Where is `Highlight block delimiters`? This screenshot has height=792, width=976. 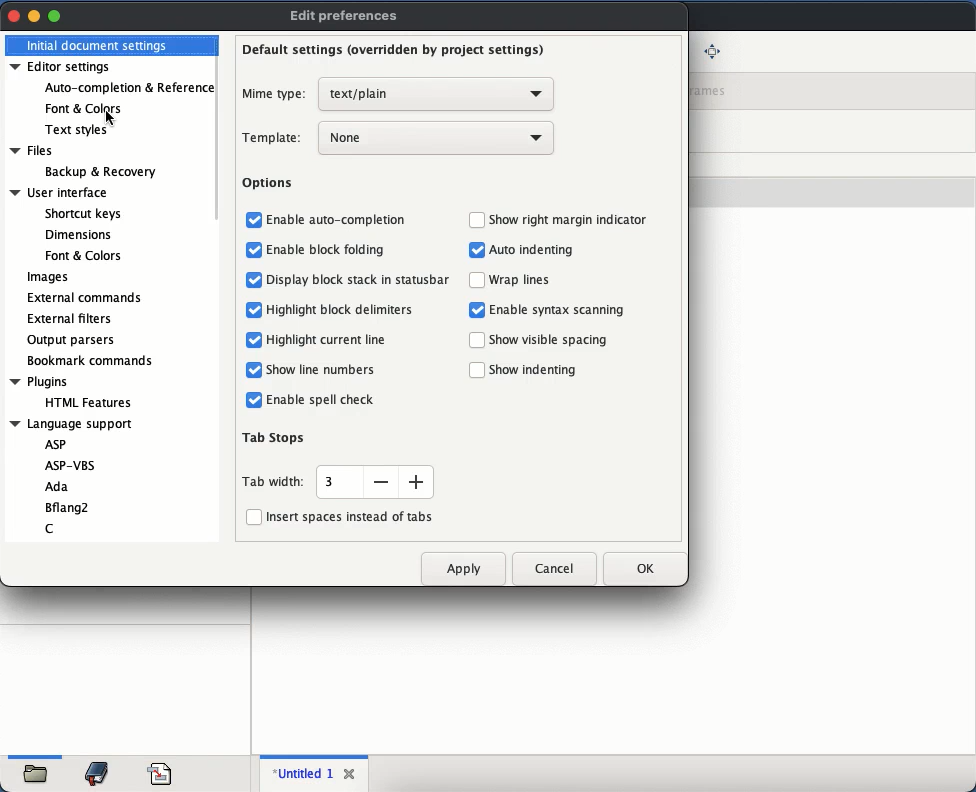
Highlight block delimiters is located at coordinates (341, 309).